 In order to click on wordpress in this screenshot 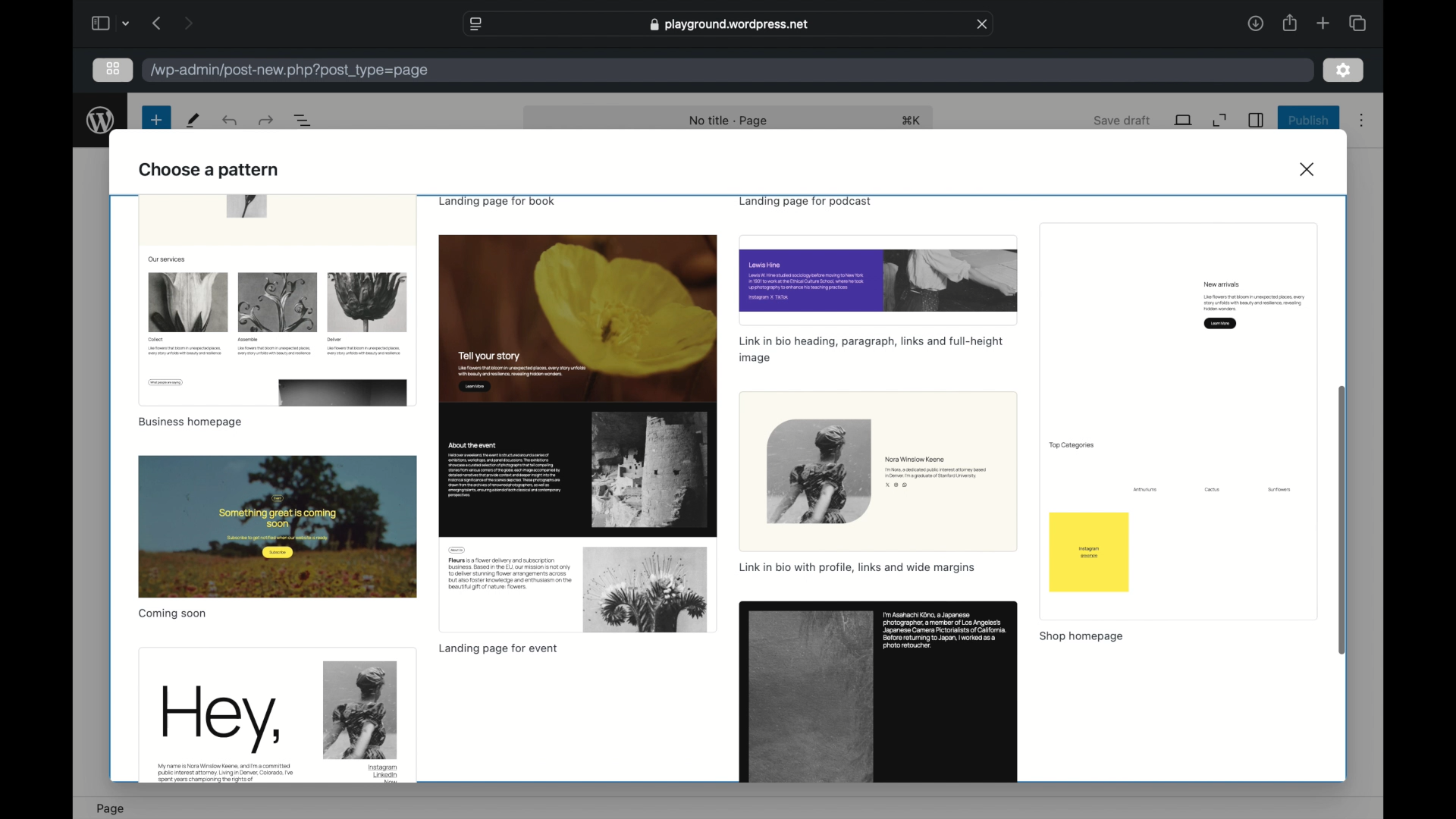, I will do `click(101, 121)`.